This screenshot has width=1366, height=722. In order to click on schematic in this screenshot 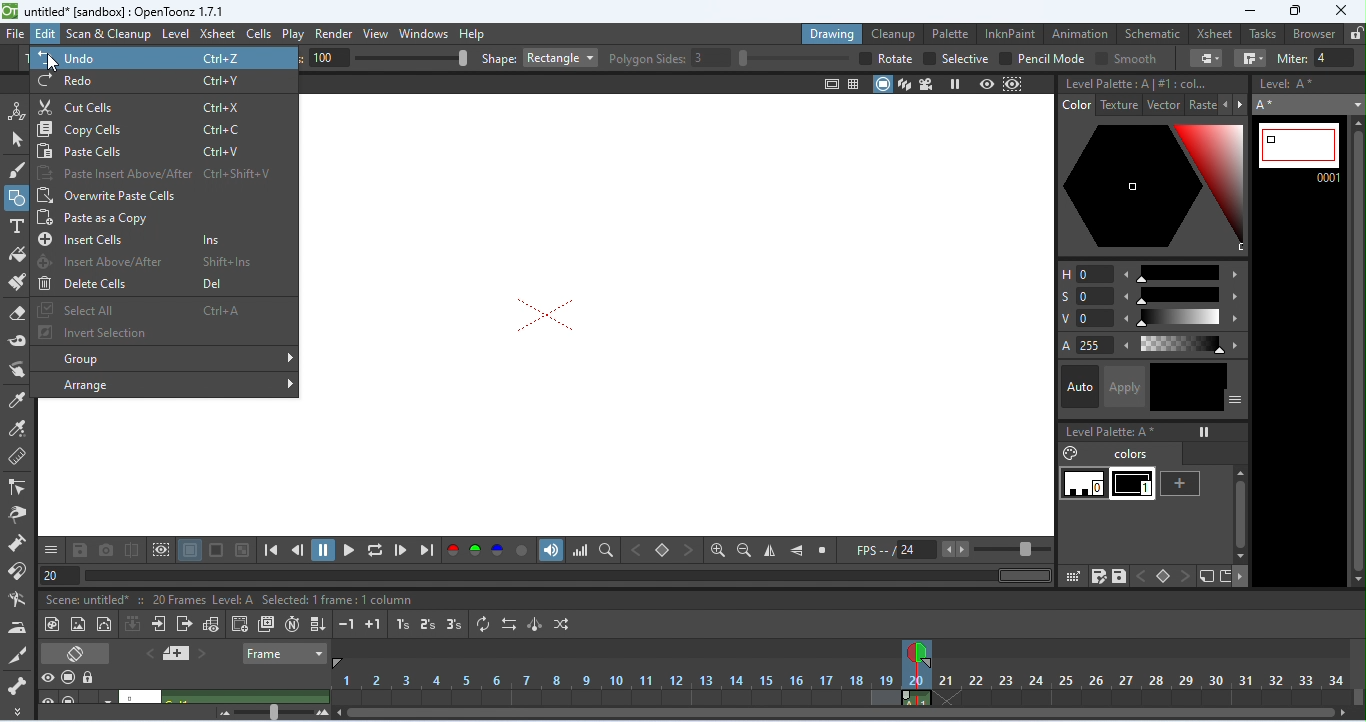, I will do `click(1152, 35)`.